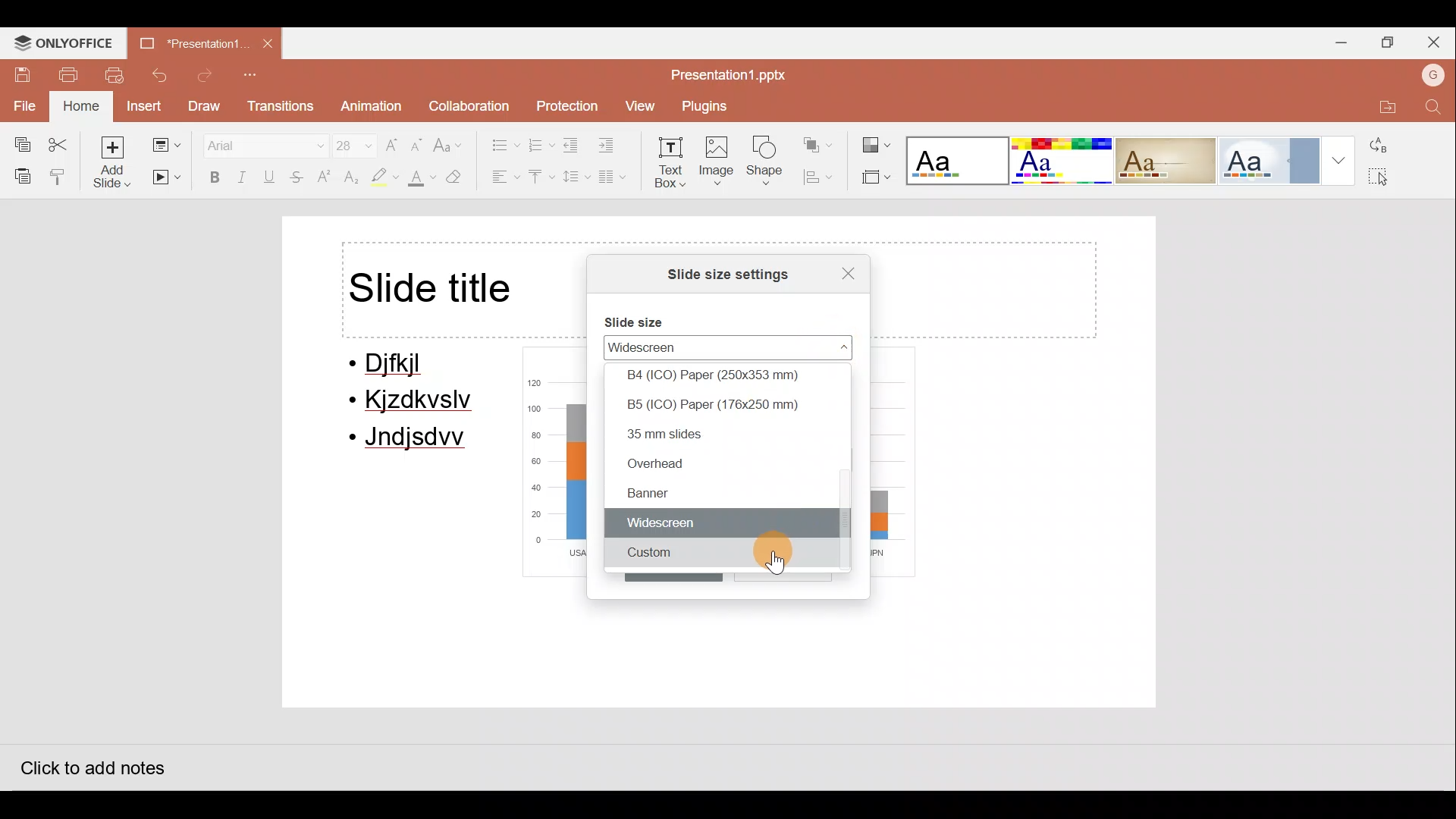  Describe the element at coordinates (1175, 160) in the screenshot. I see `Theme 3` at that location.